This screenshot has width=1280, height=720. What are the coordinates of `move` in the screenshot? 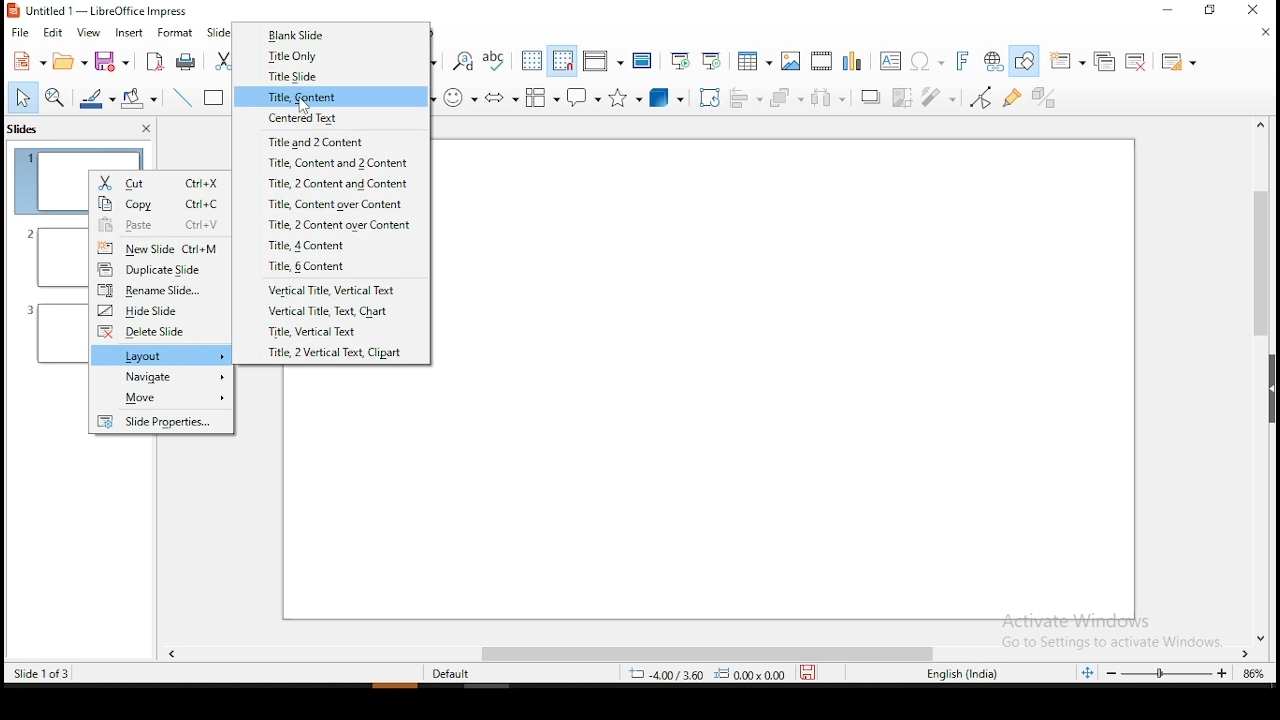 It's located at (162, 400).